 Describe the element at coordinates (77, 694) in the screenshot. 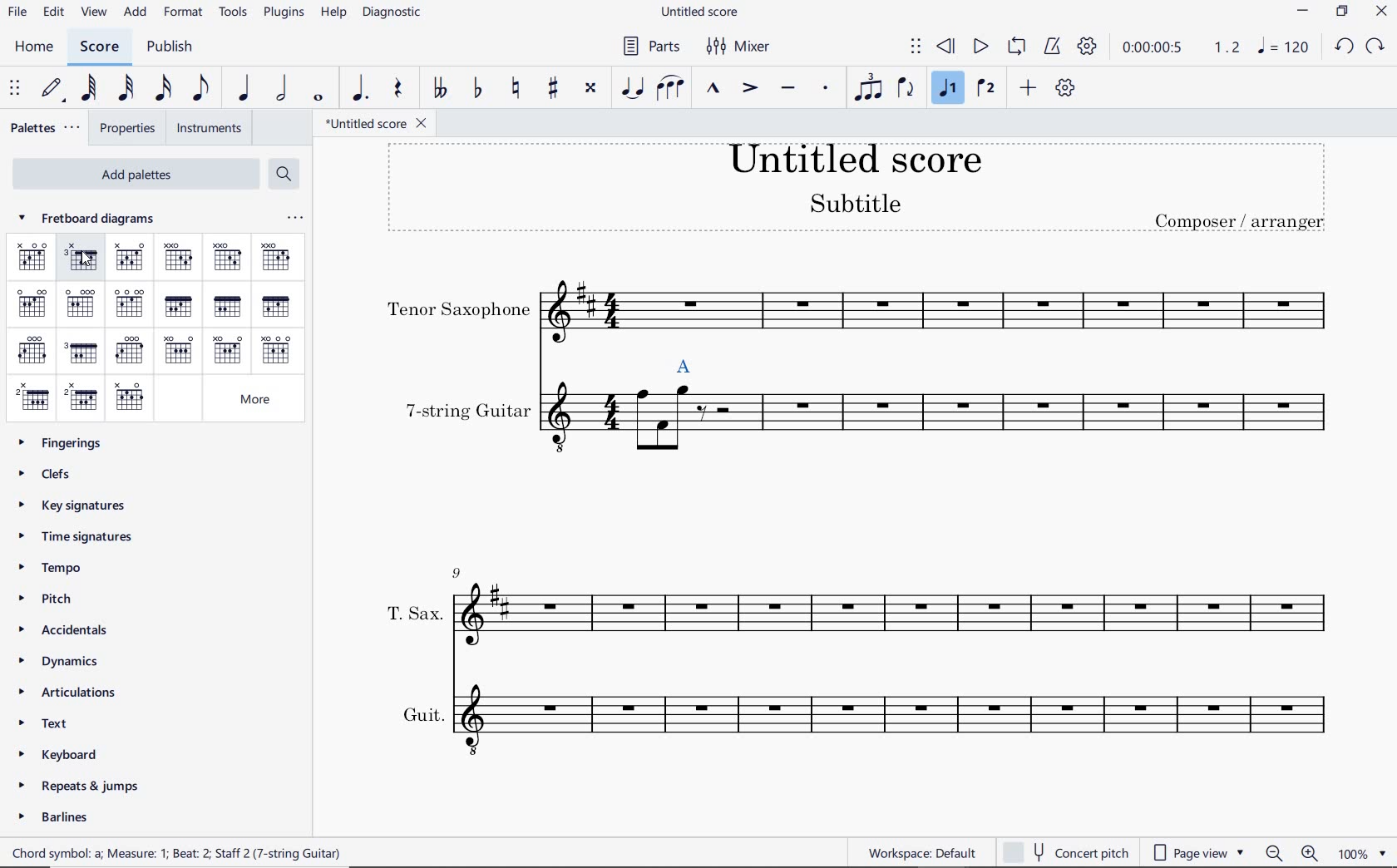

I see `ARTICULATIONS` at that location.